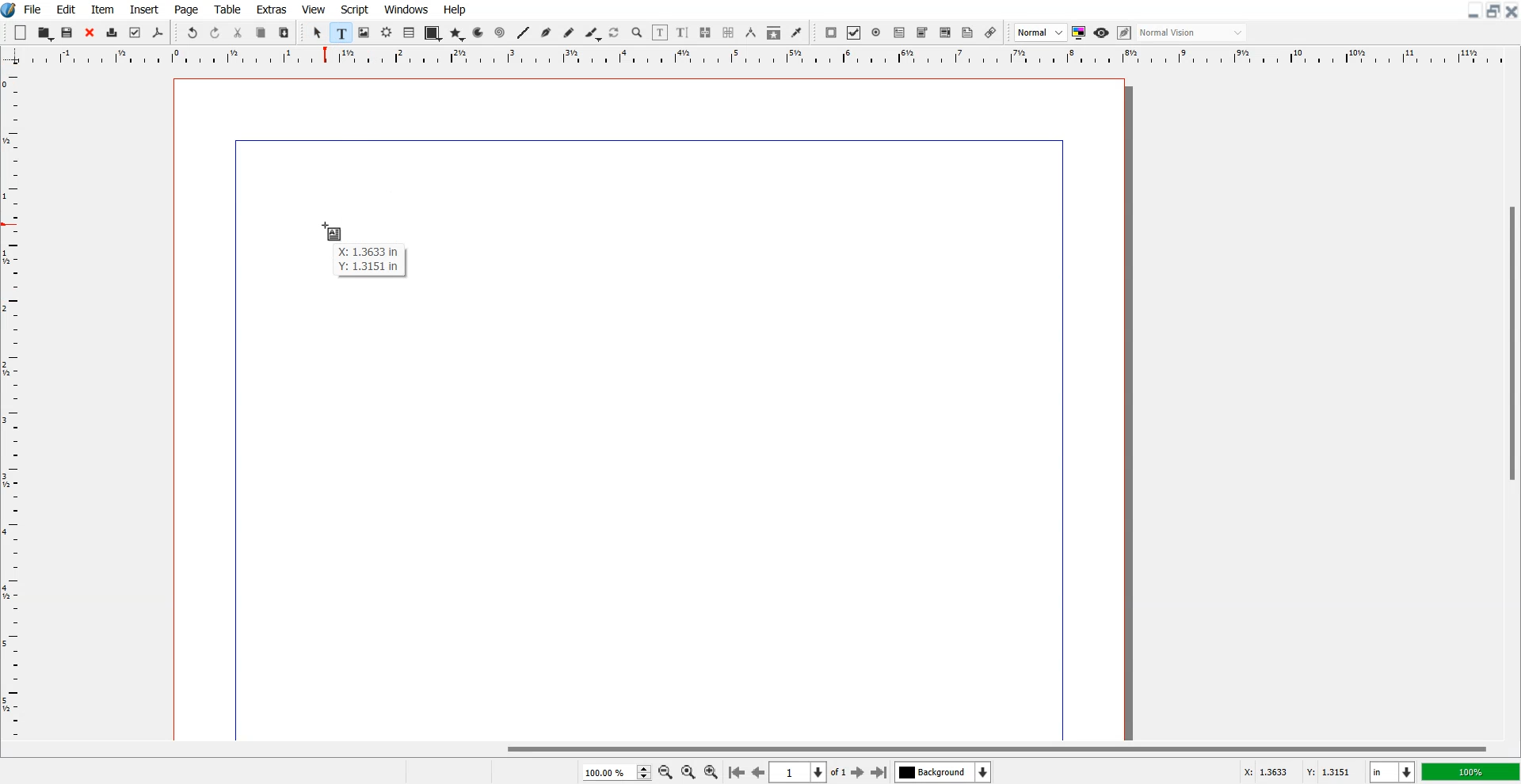  Describe the element at coordinates (90, 33) in the screenshot. I see `Close` at that location.